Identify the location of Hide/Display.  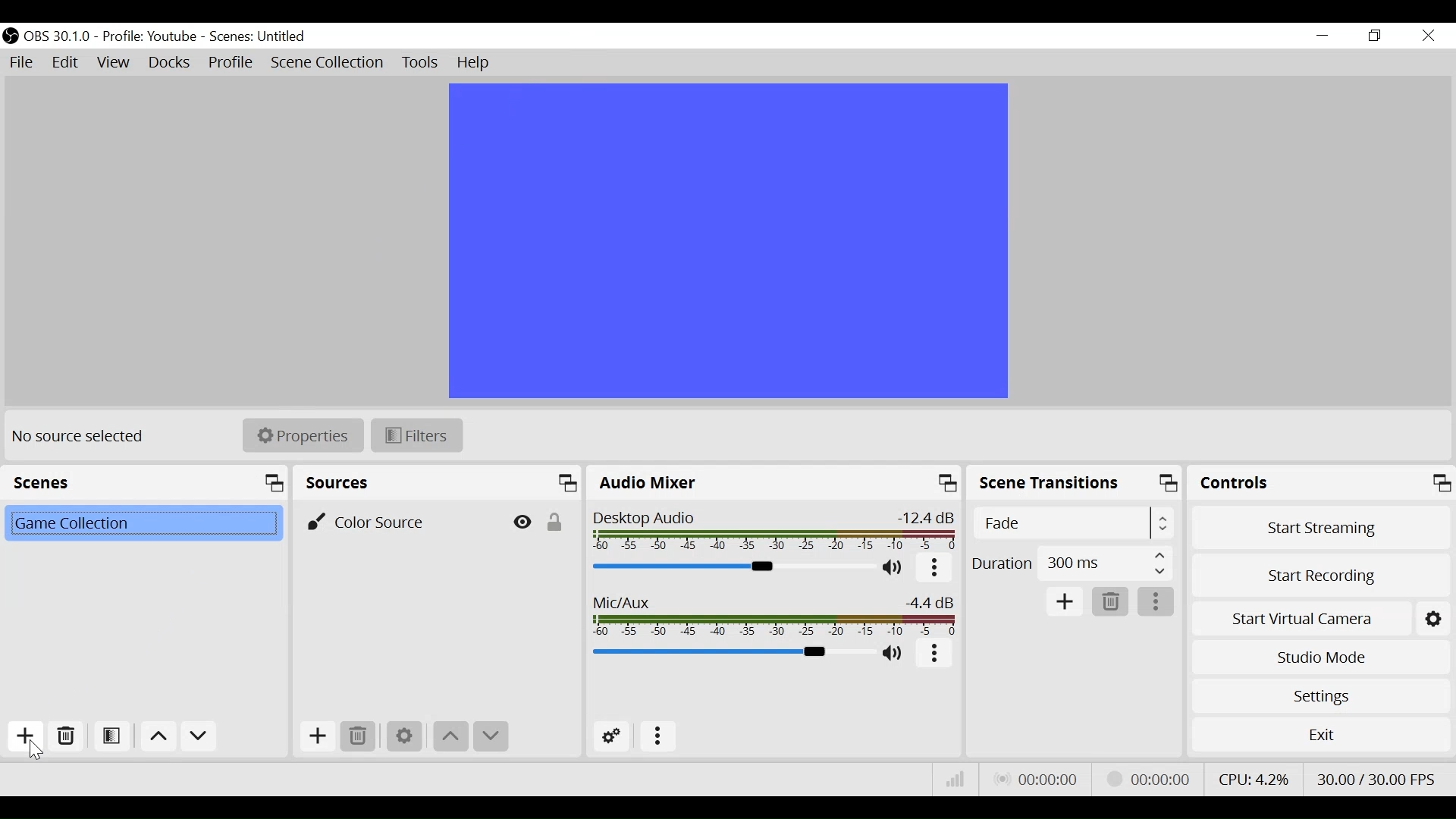
(522, 522).